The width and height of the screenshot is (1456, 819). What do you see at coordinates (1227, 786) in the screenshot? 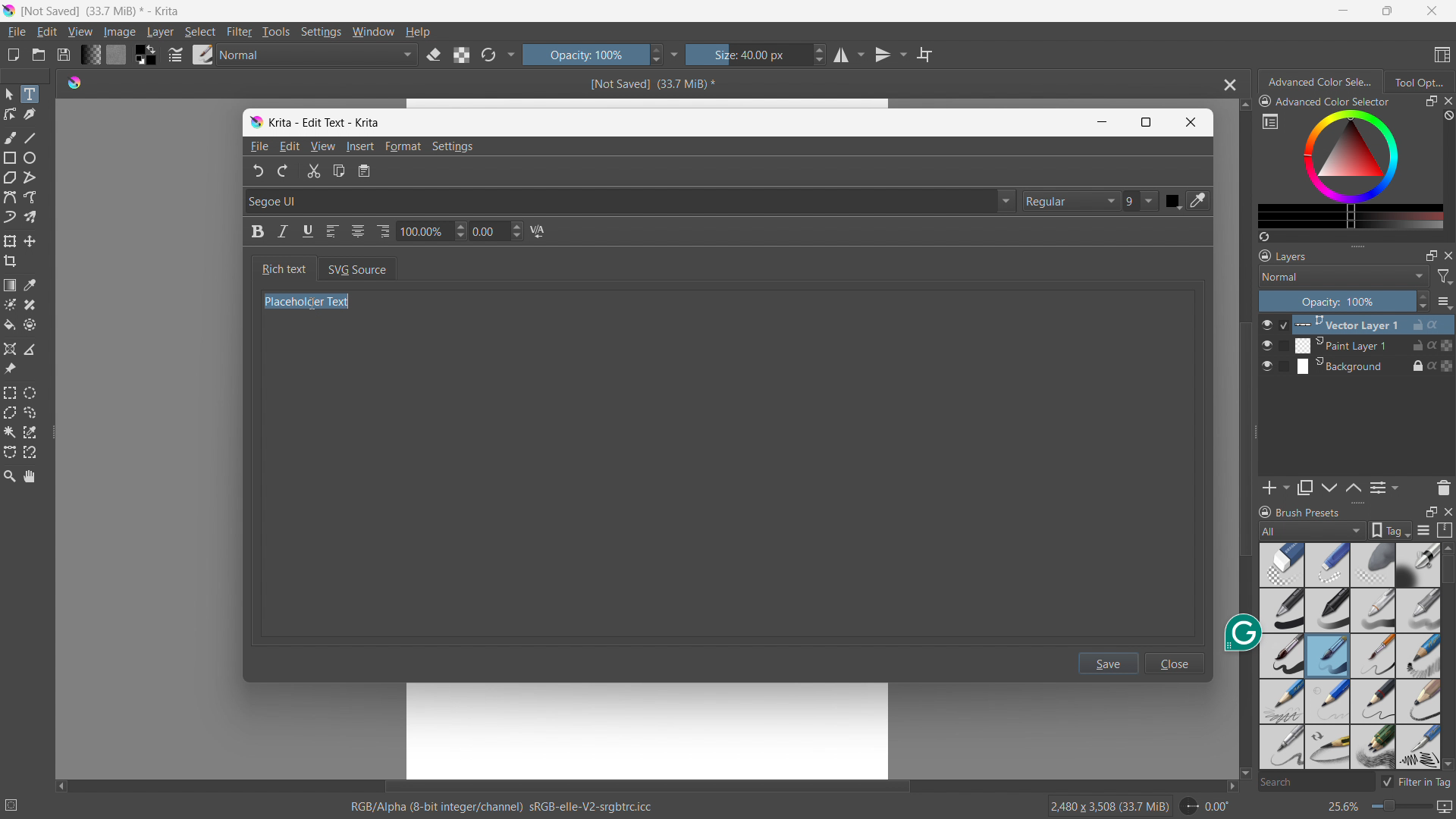
I see `scroll right` at bounding box center [1227, 786].